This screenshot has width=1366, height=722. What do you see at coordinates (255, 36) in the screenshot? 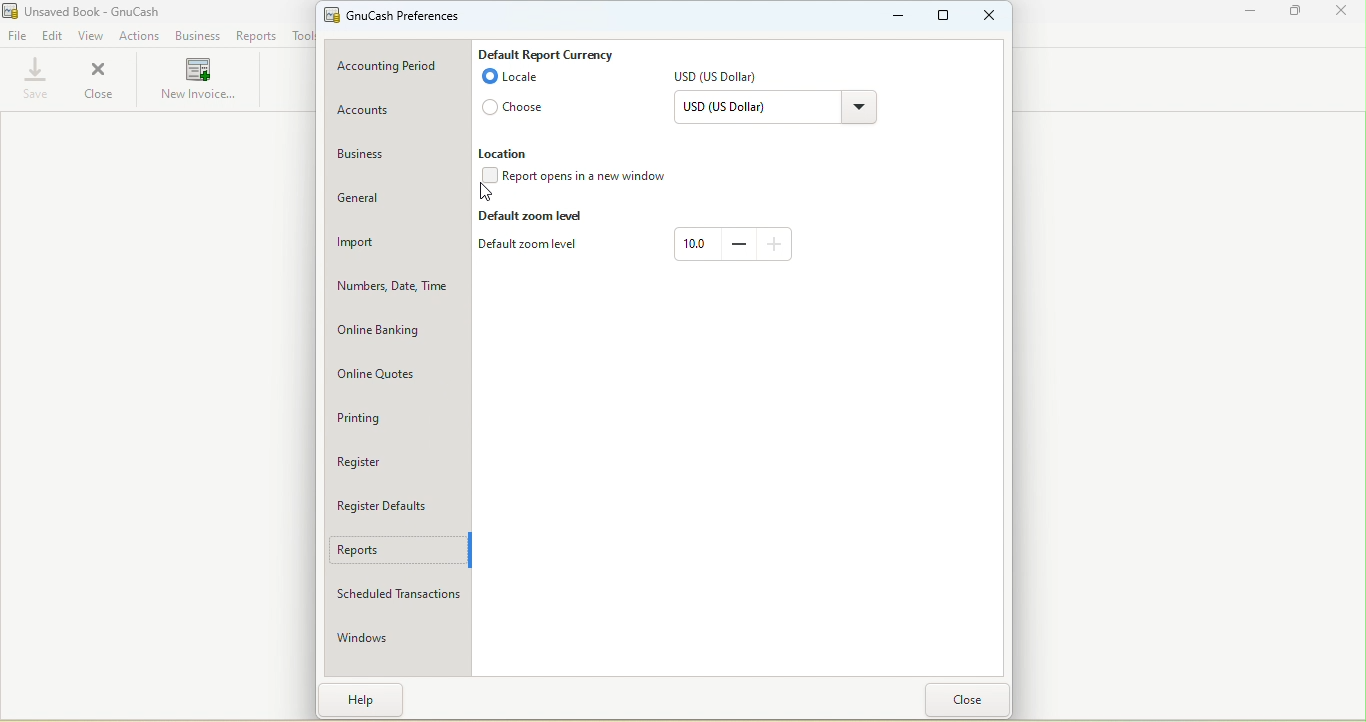
I see `Reports` at bounding box center [255, 36].